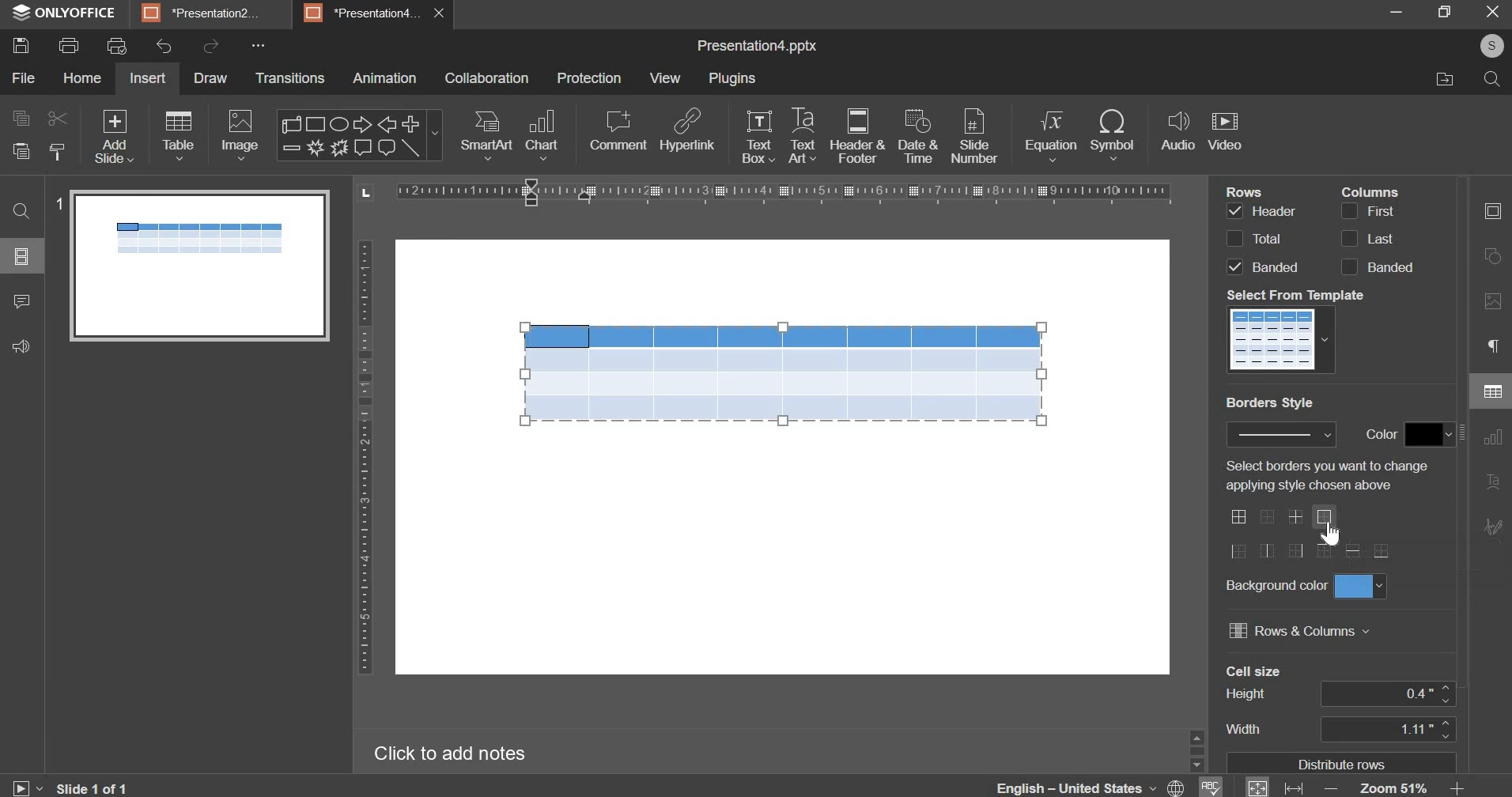  What do you see at coordinates (455, 755) in the screenshot?
I see `click to add notes` at bounding box center [455, 755].